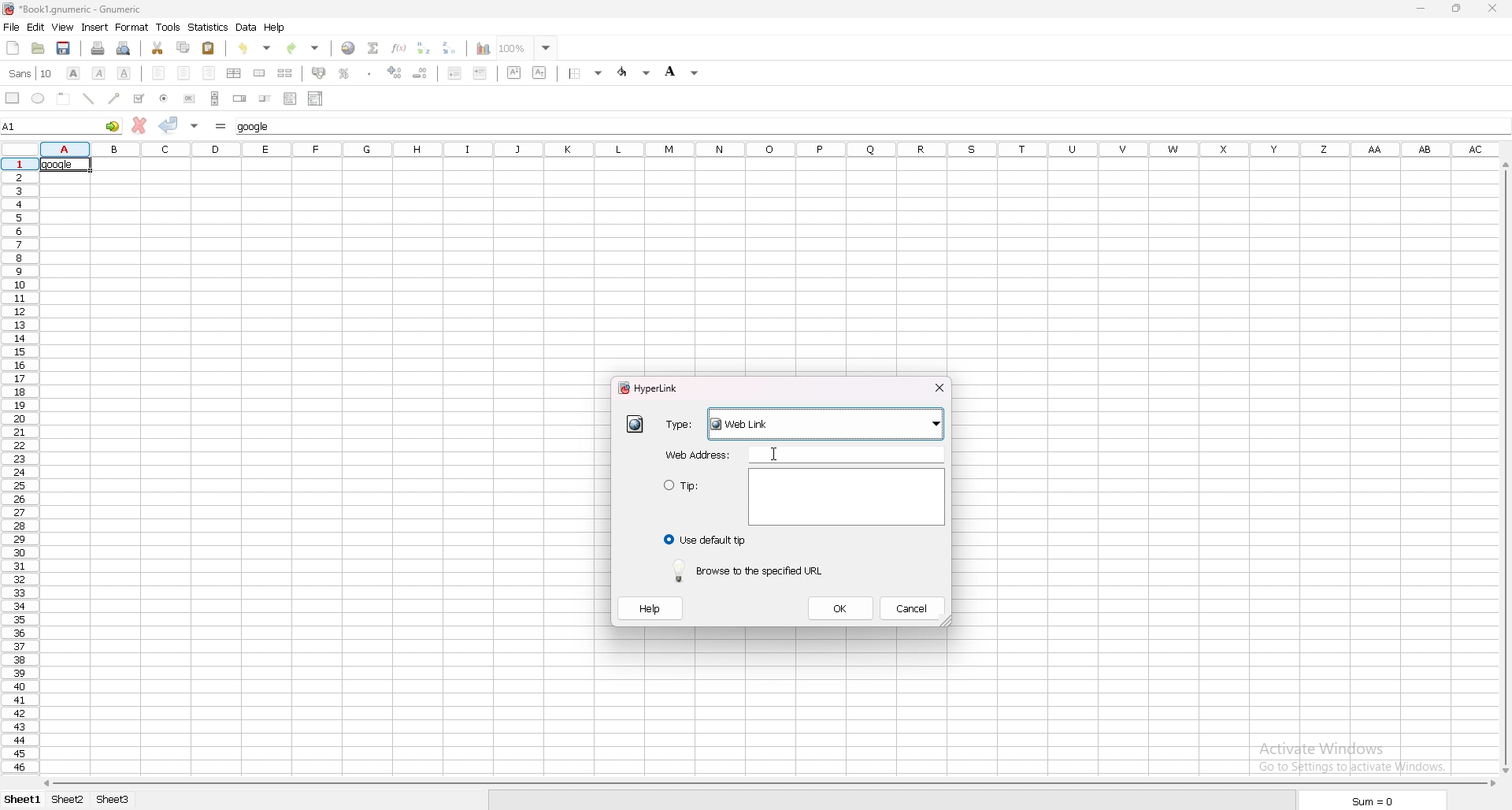 The width and height of the screenshot is (1512, 810). I want to click on ellipse, so click(39, 98).